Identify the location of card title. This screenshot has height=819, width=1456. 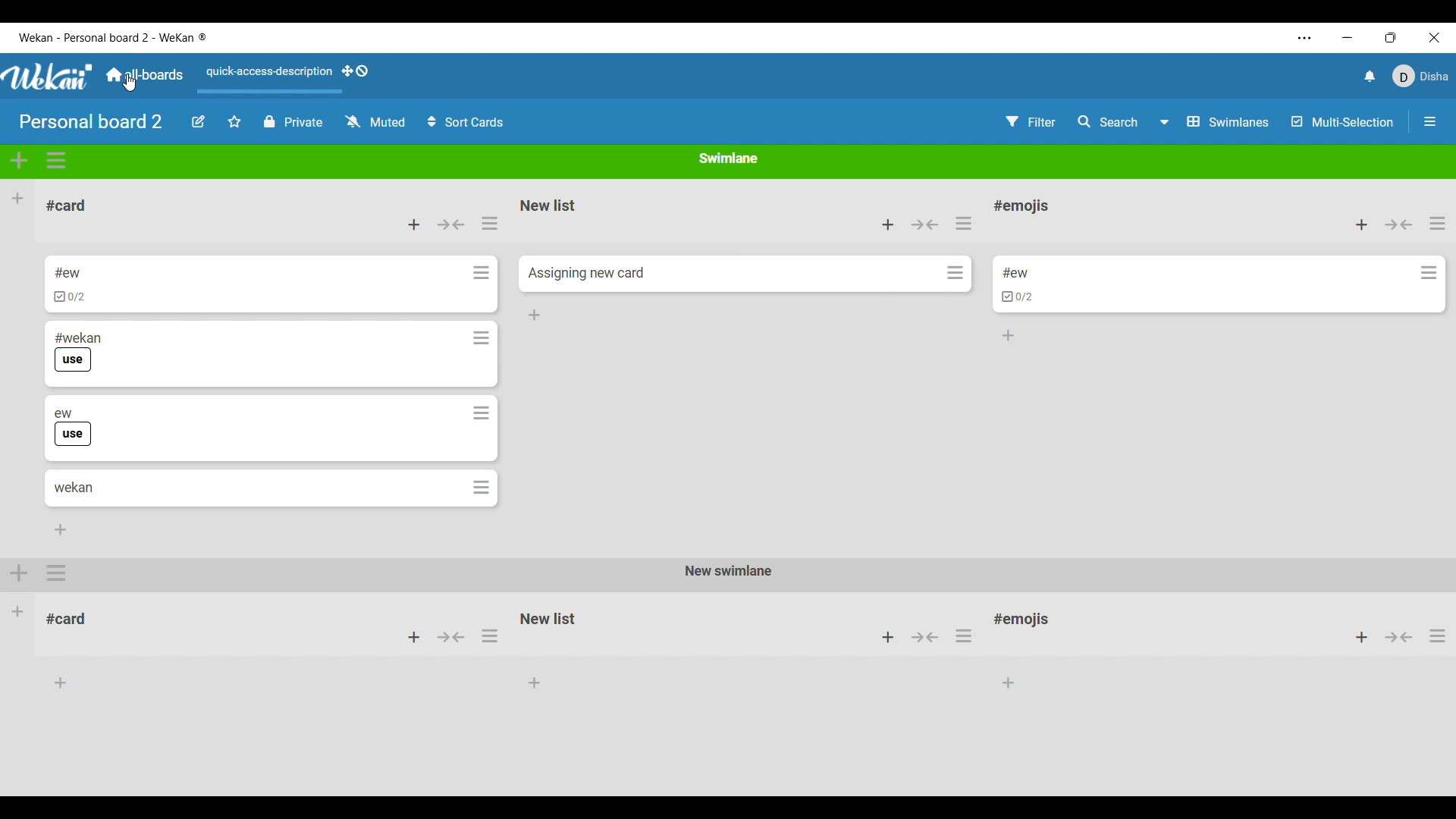
(101, 625).